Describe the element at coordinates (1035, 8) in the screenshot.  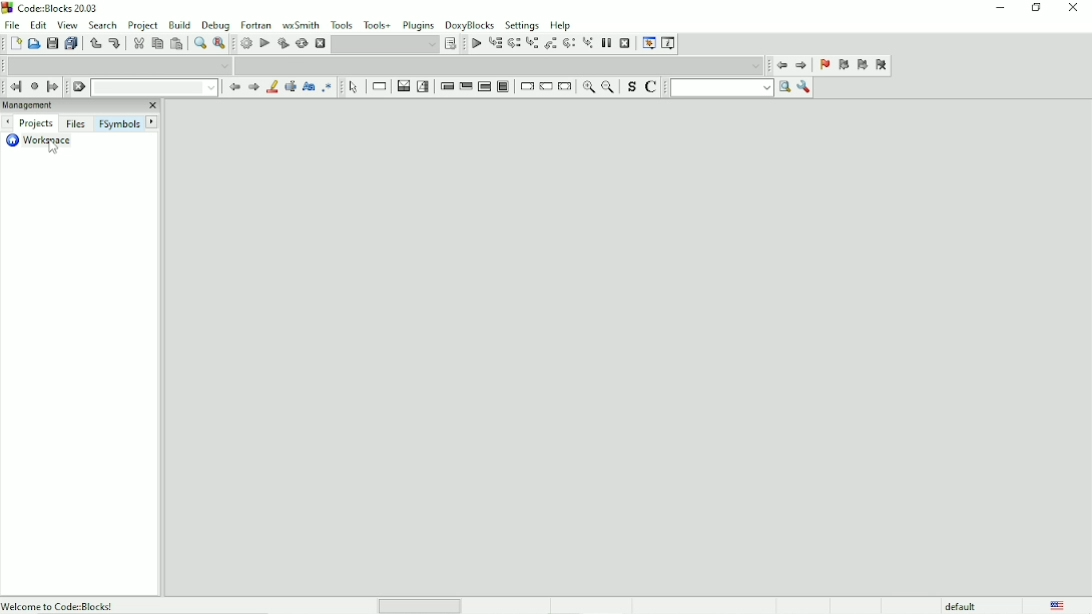
I see `Restore down` at that location.